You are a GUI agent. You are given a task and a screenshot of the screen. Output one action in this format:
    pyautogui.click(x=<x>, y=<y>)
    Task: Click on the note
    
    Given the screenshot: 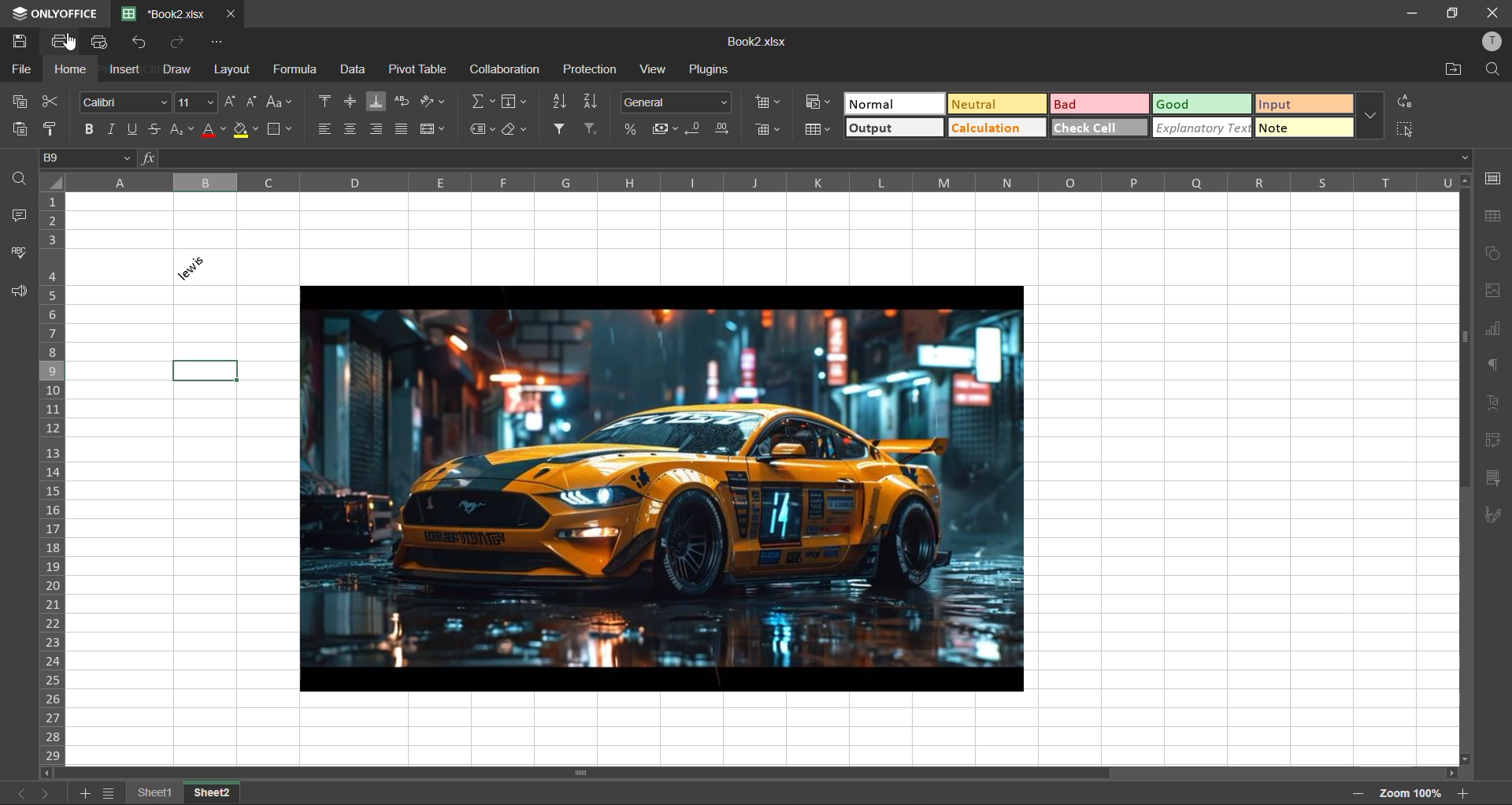 What is the action you would take?
    pyautogui.click(x=1305, y=127)
    